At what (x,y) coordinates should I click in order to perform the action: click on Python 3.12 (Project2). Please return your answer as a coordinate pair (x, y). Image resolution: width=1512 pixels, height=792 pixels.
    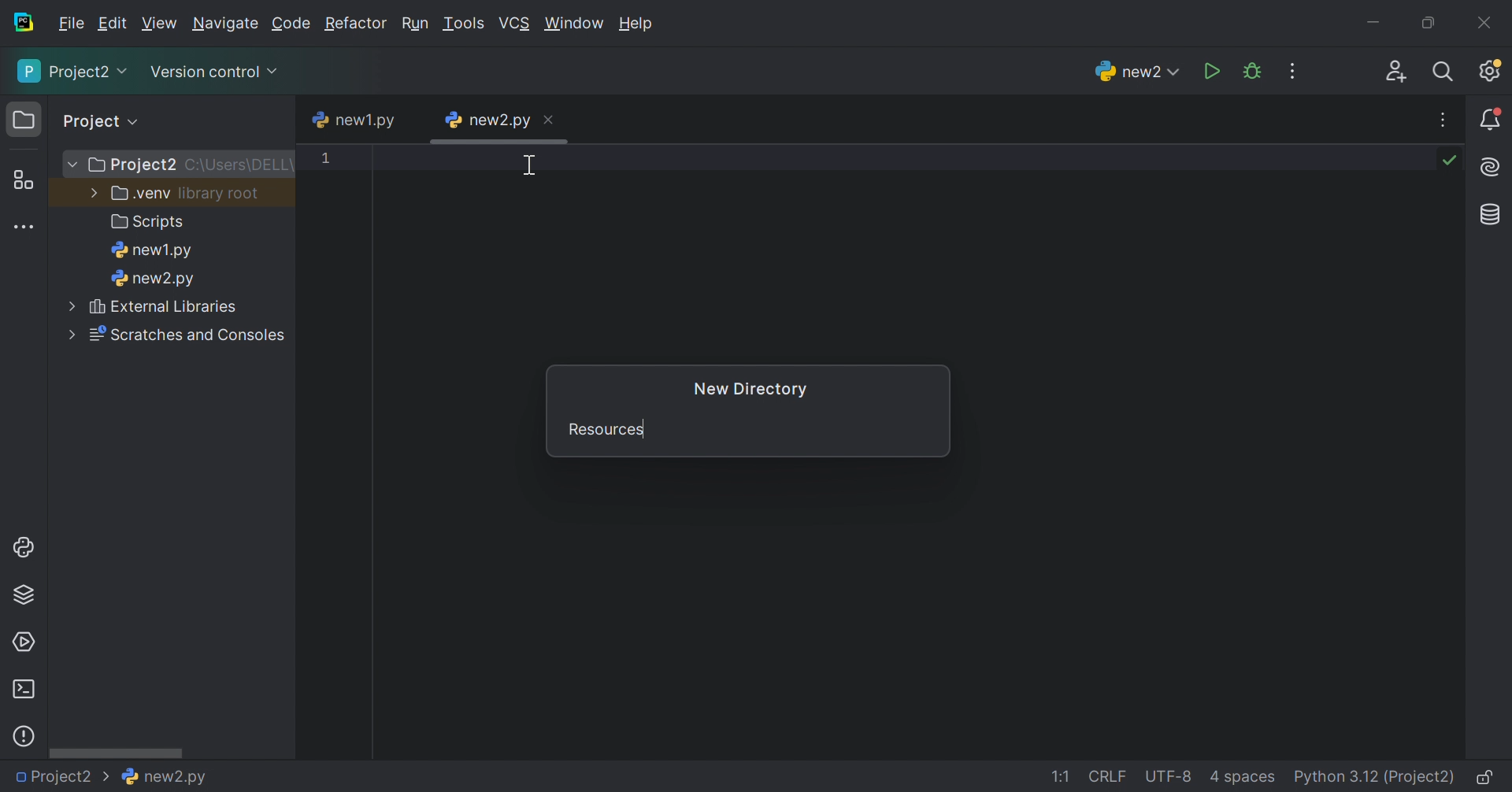
    Looking at the image, I should click on (1373, 777).